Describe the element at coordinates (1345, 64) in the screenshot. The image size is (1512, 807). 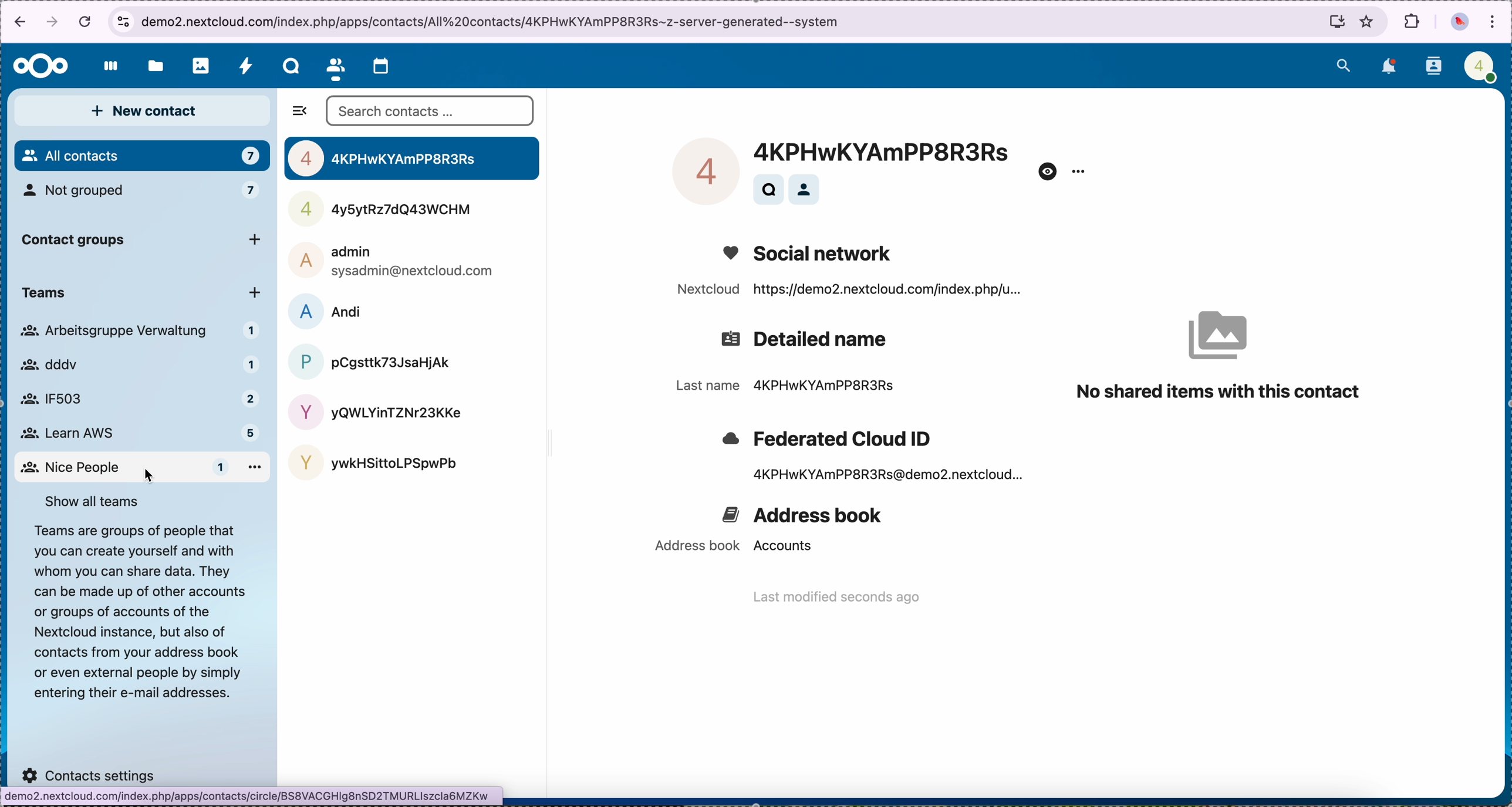
I see `search` at that location.